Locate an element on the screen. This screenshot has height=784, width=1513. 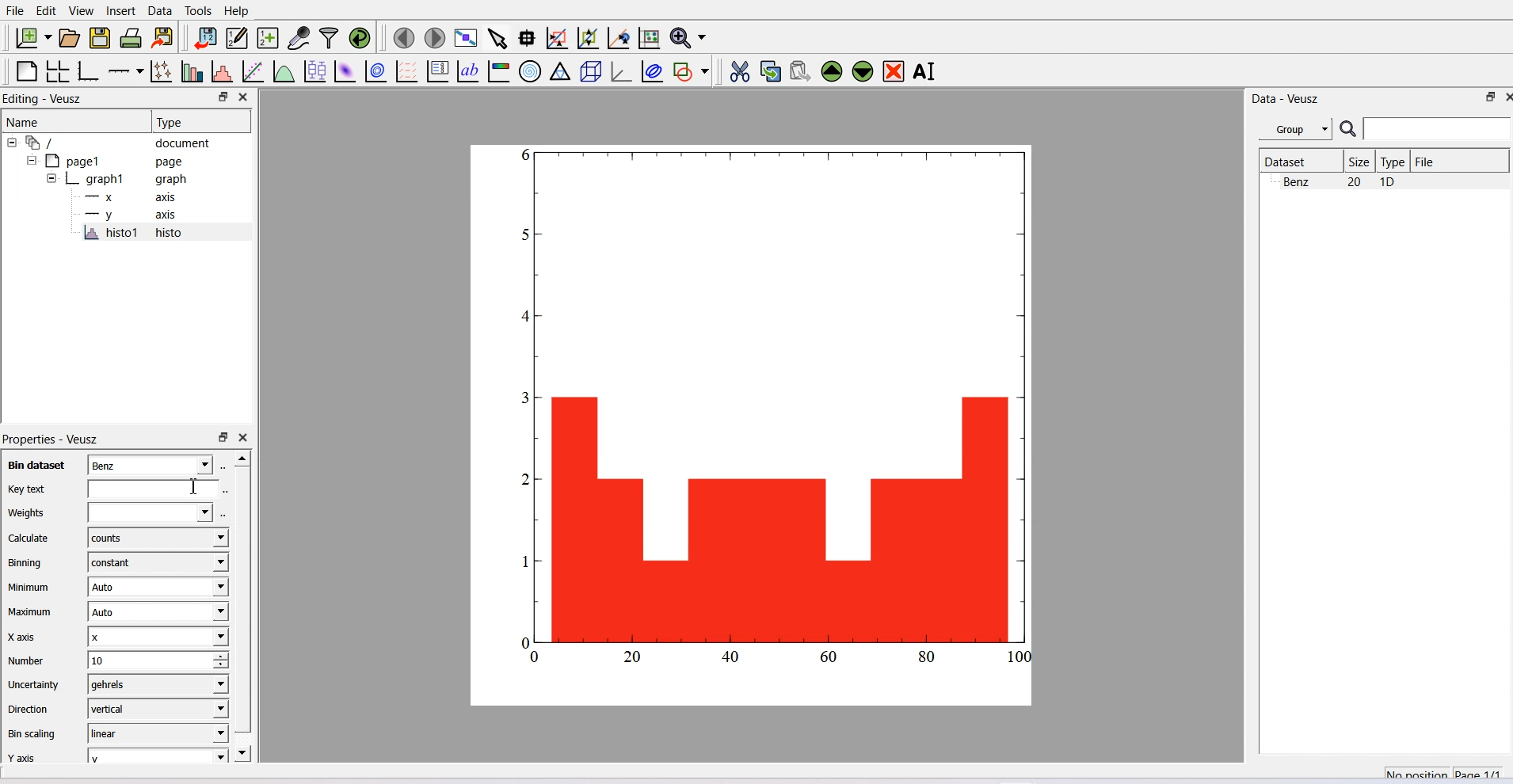
Move the selected widget up is located at coordinates (832, 72).